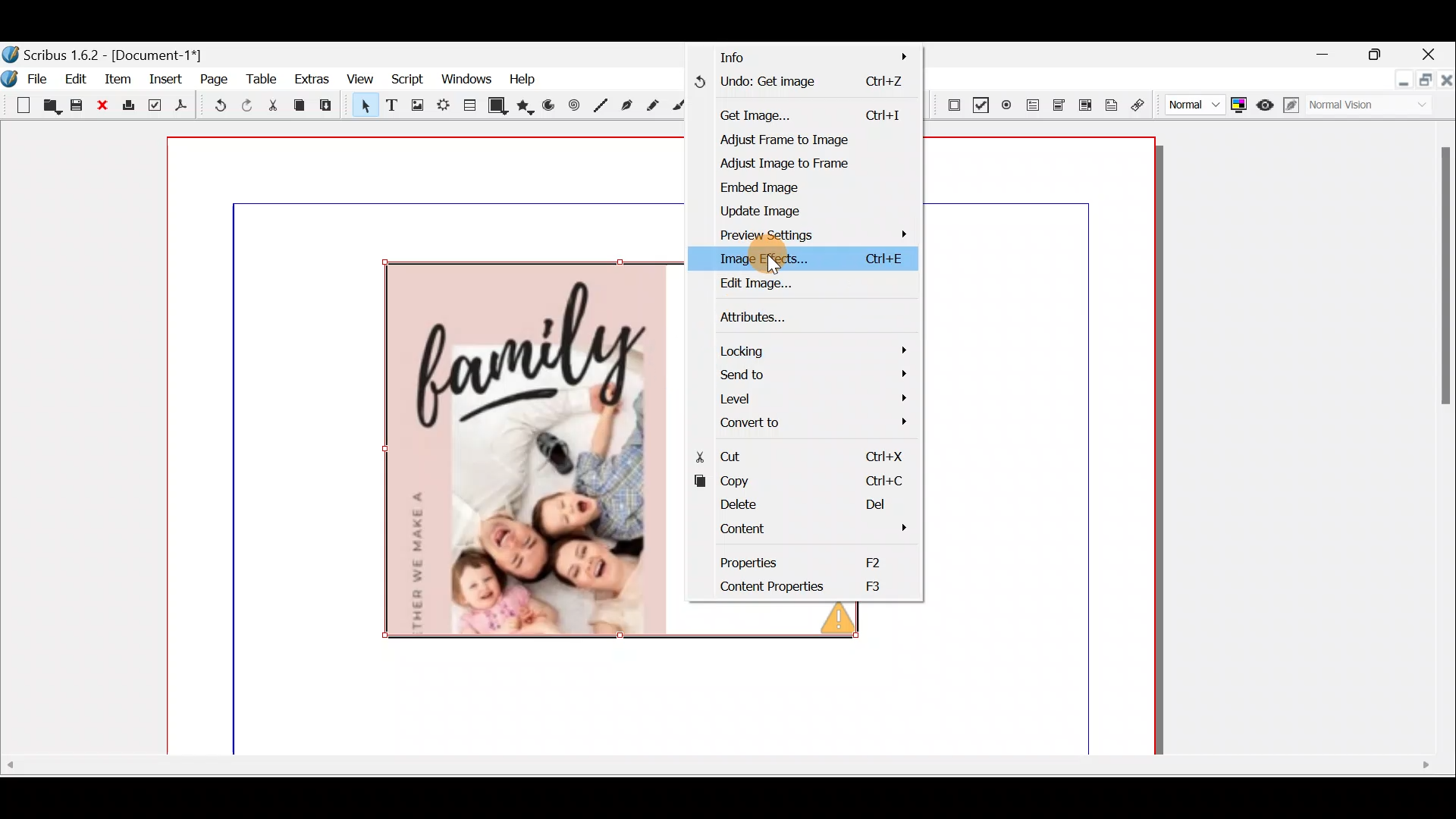 The width and height of the screenshot is (1456, 819). Describe the element at coordinates (155, 108) in the screenshot. I see `Preflight verifier` at that location.